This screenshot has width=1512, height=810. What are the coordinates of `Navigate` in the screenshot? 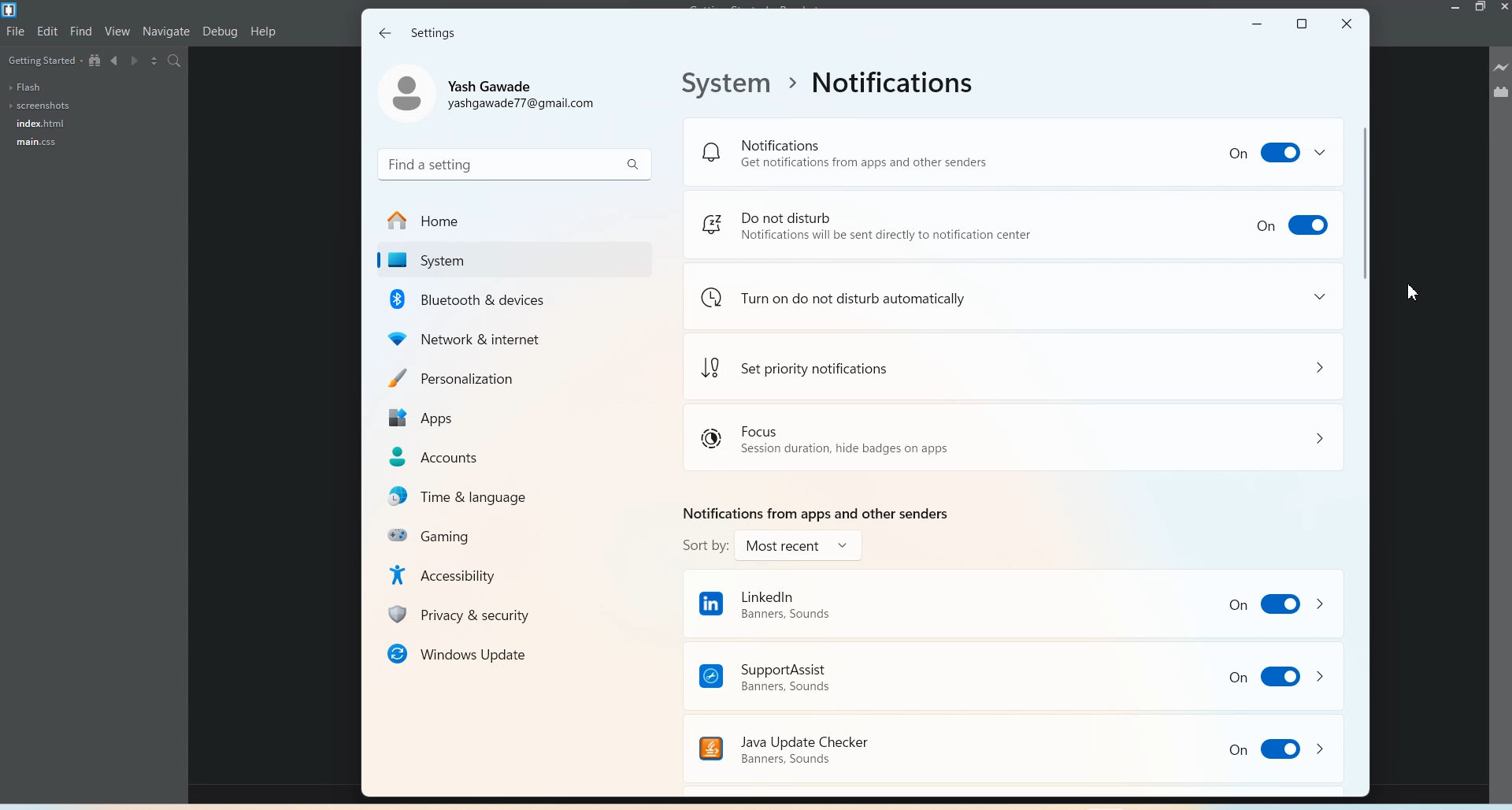 It's located at (166, 32).